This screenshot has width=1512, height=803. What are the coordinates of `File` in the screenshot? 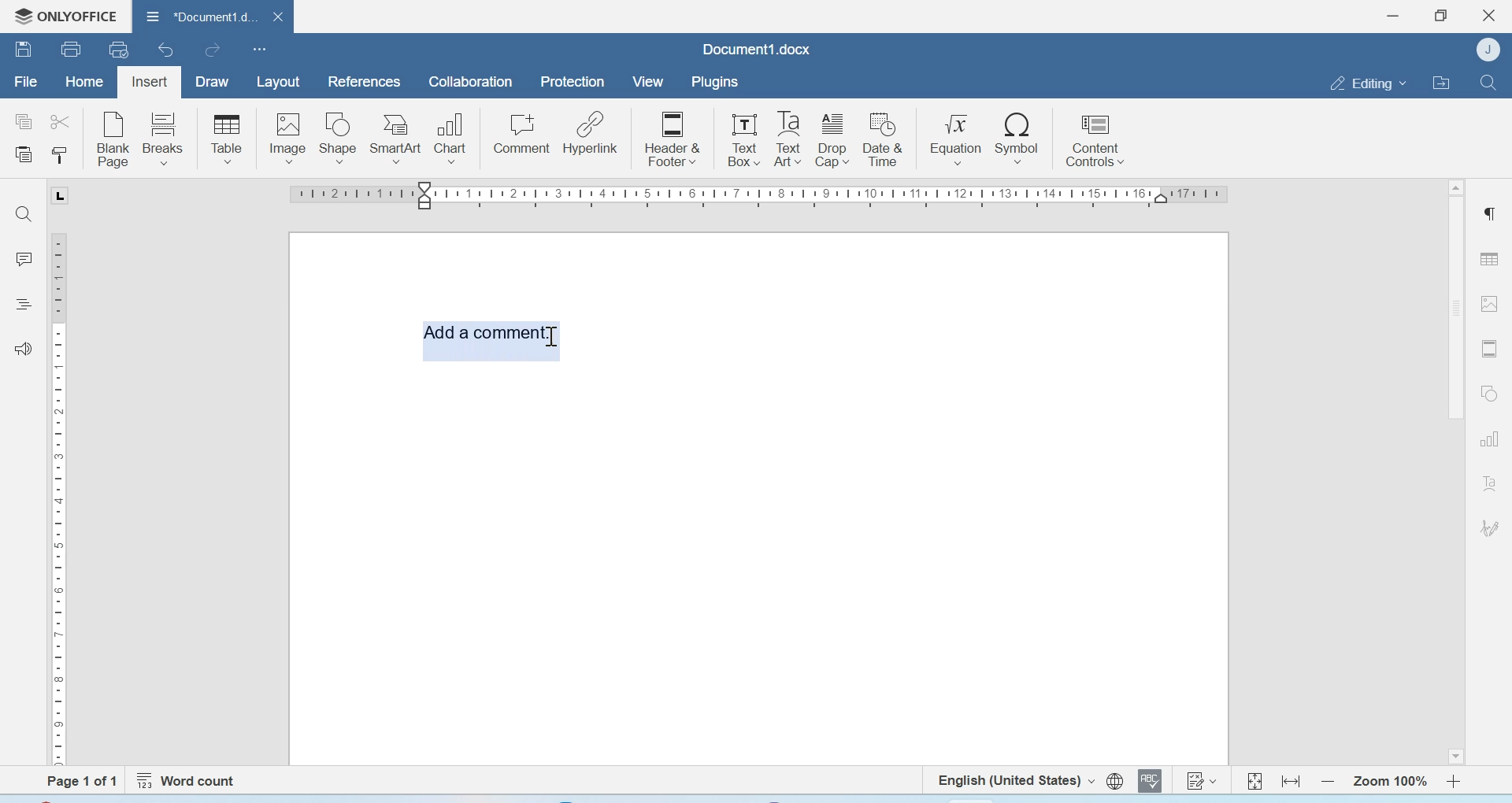 It's located at (25, 82).